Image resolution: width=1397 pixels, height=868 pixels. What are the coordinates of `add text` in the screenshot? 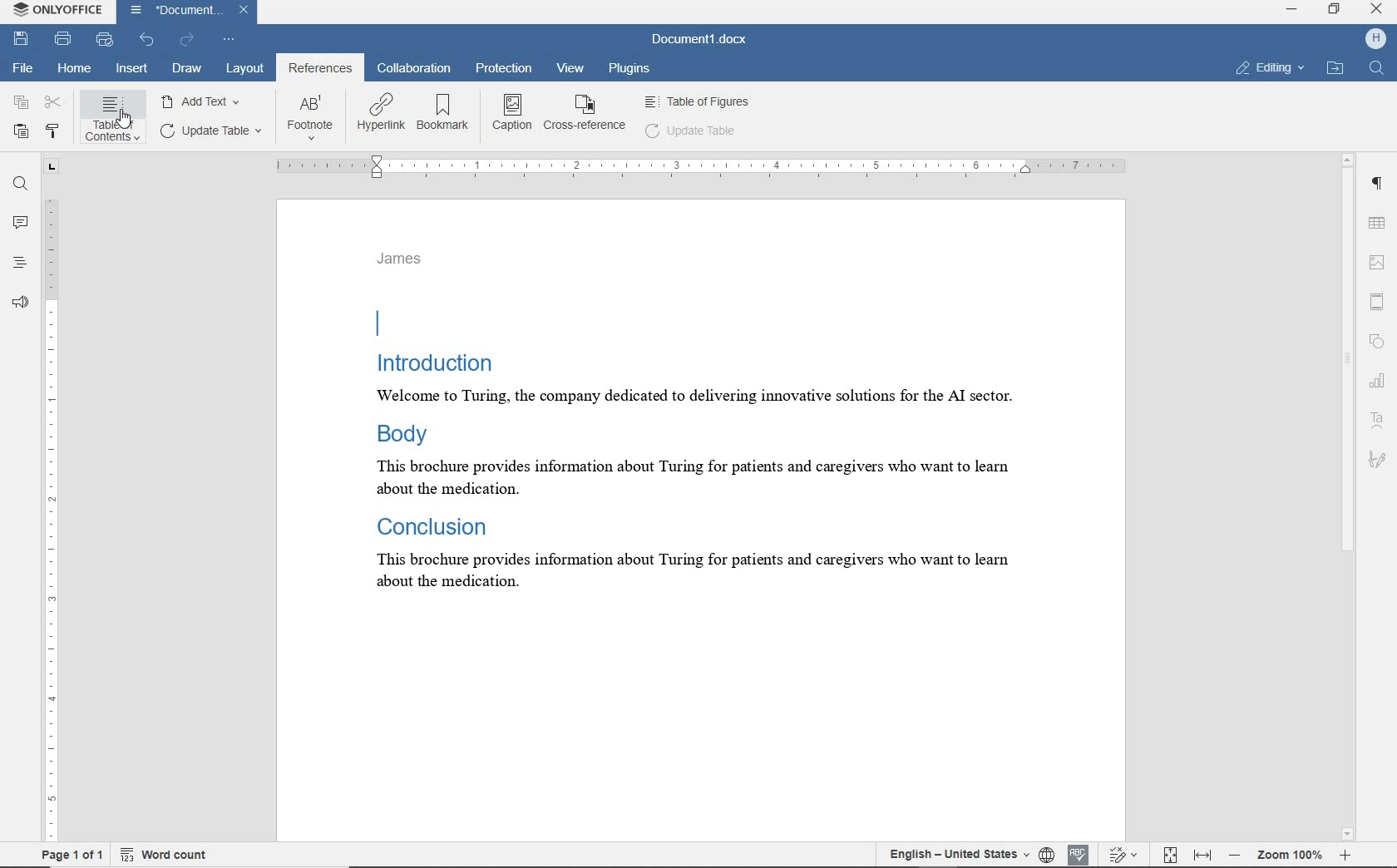 It's located at (204, 101).